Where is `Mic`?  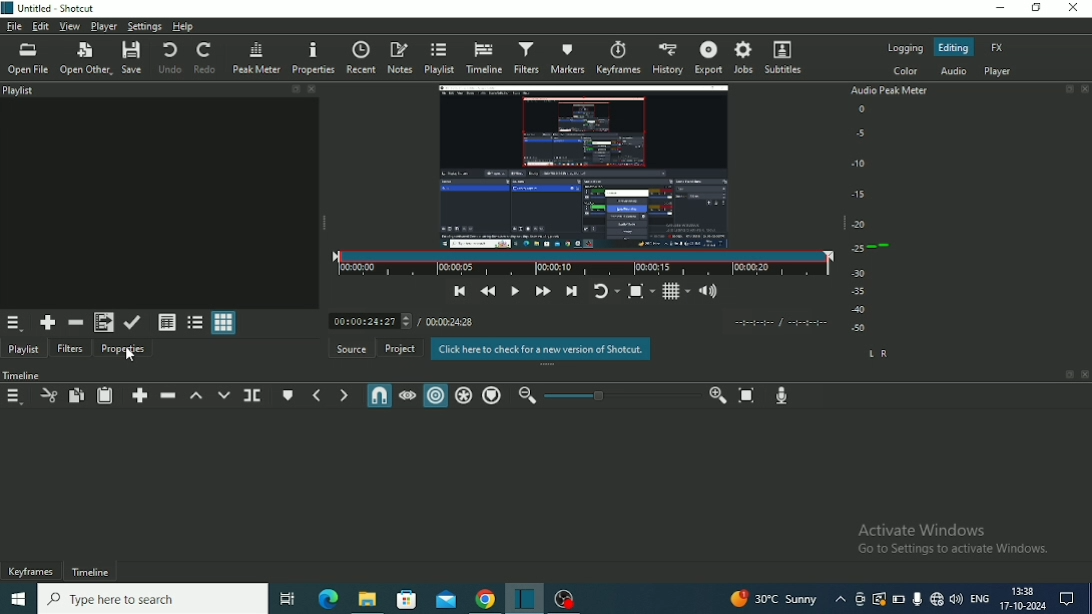 Mic is located at coordinates (917, 599).